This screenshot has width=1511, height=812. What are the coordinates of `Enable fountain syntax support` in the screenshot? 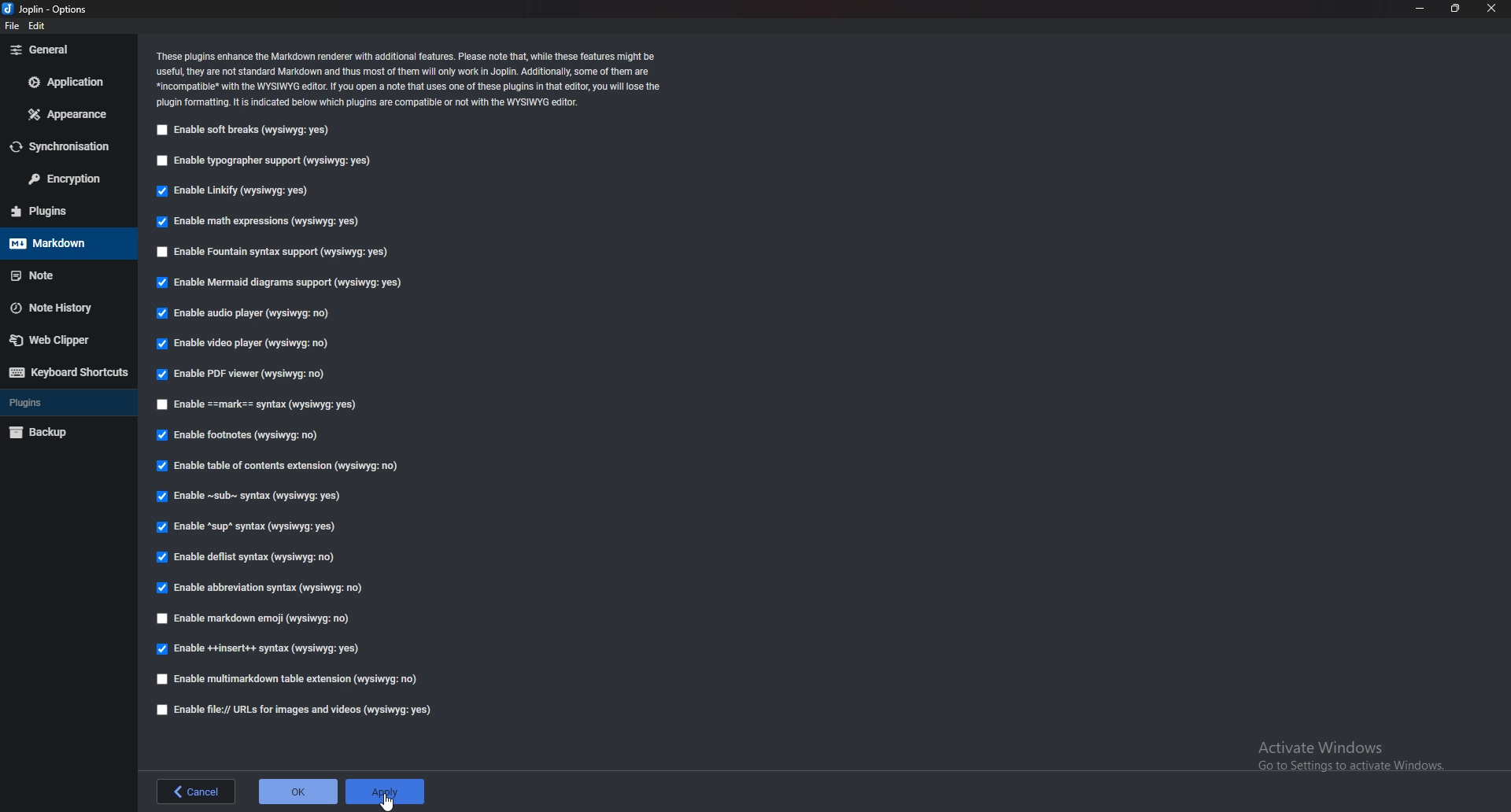 It's located at (275, 249).